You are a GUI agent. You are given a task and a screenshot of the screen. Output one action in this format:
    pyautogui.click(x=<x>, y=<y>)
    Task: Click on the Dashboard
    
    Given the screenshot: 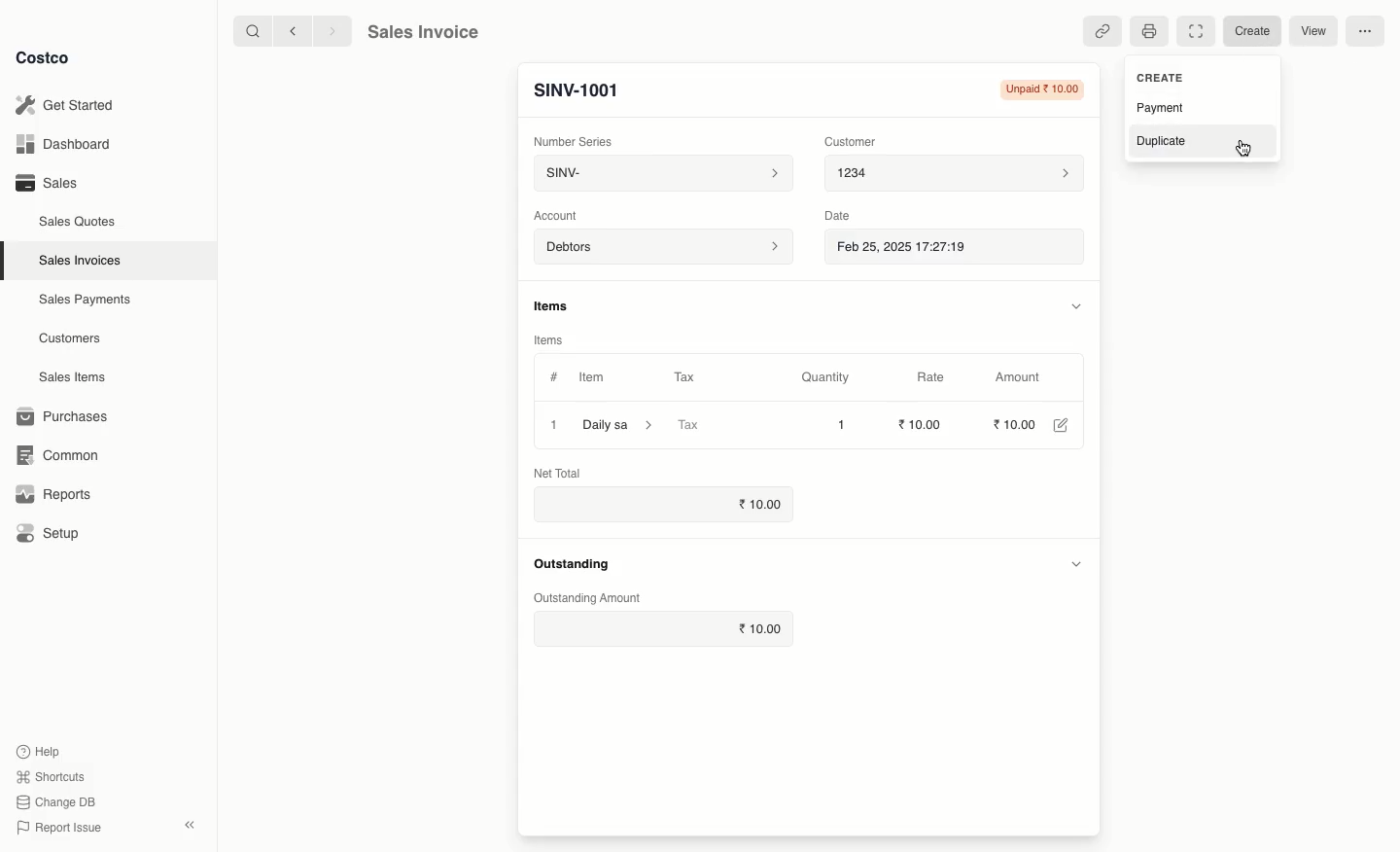 What is the action you would take?
    pyautogui.click(x=68, y=142)
    